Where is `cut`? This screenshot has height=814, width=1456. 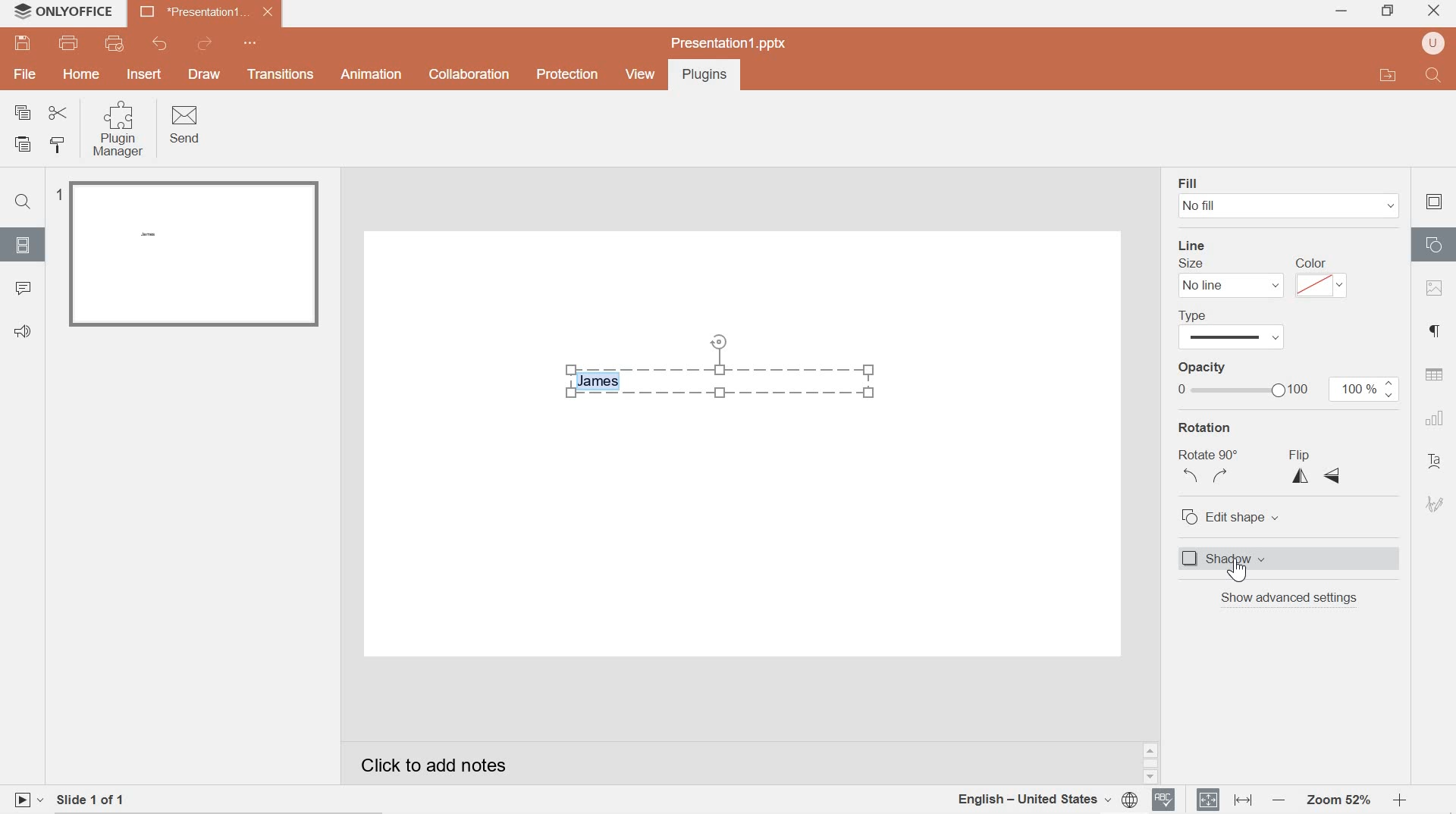 cut is located at coordinates (58, 112).